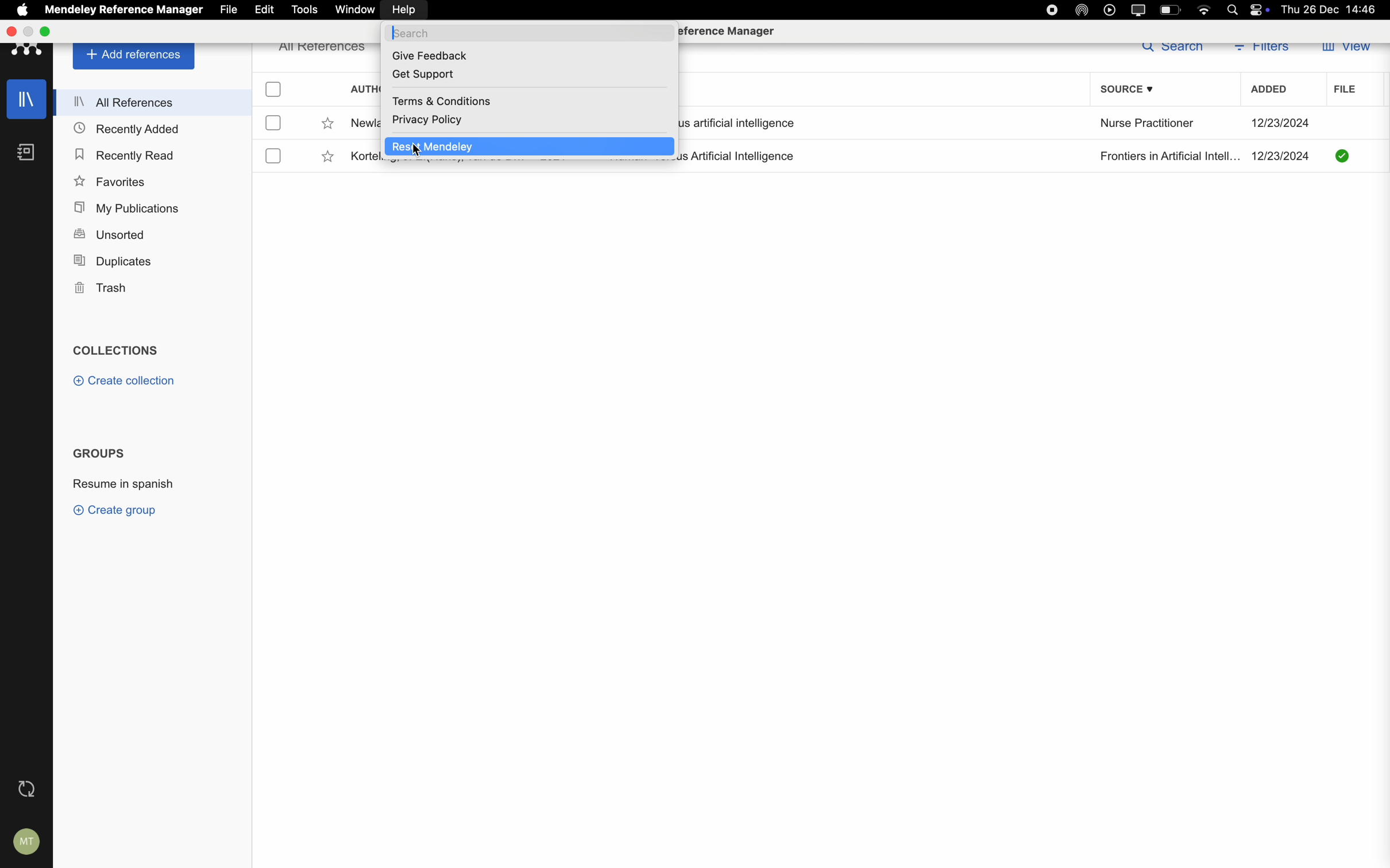  What do you see at coordinates (433, 55) in the screenshot?
I see `give feedback` at bounding box center [433, 55].